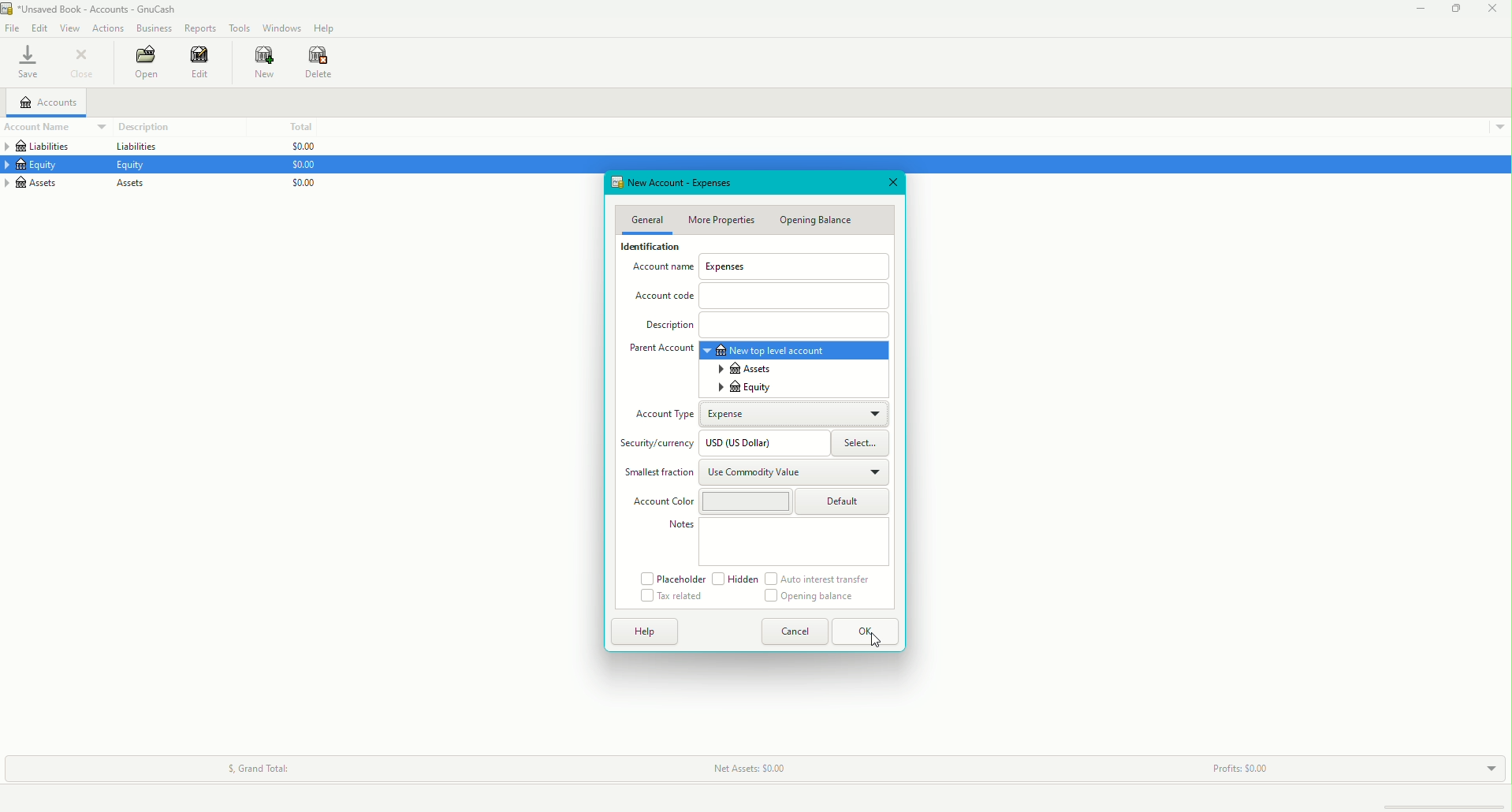 This screenshot has width=1512, height=812. Describe the element at coordinates (865, 443) in the screenshot. I see `` at that location.